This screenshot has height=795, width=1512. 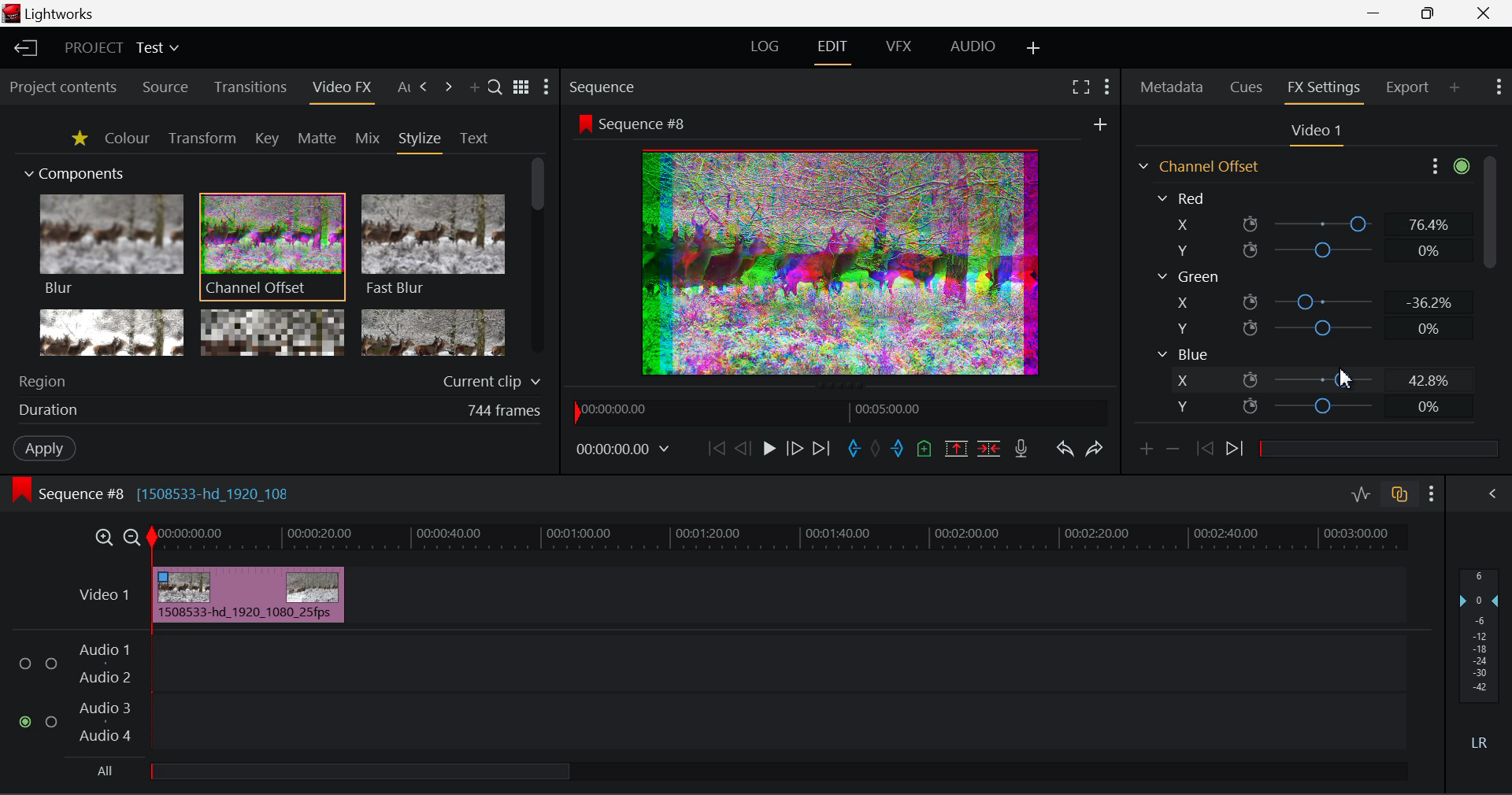 What do you see at coordinates (708, 694) in the screenshot?
I see `Audio Input Field` at bounding box center [708, 694].